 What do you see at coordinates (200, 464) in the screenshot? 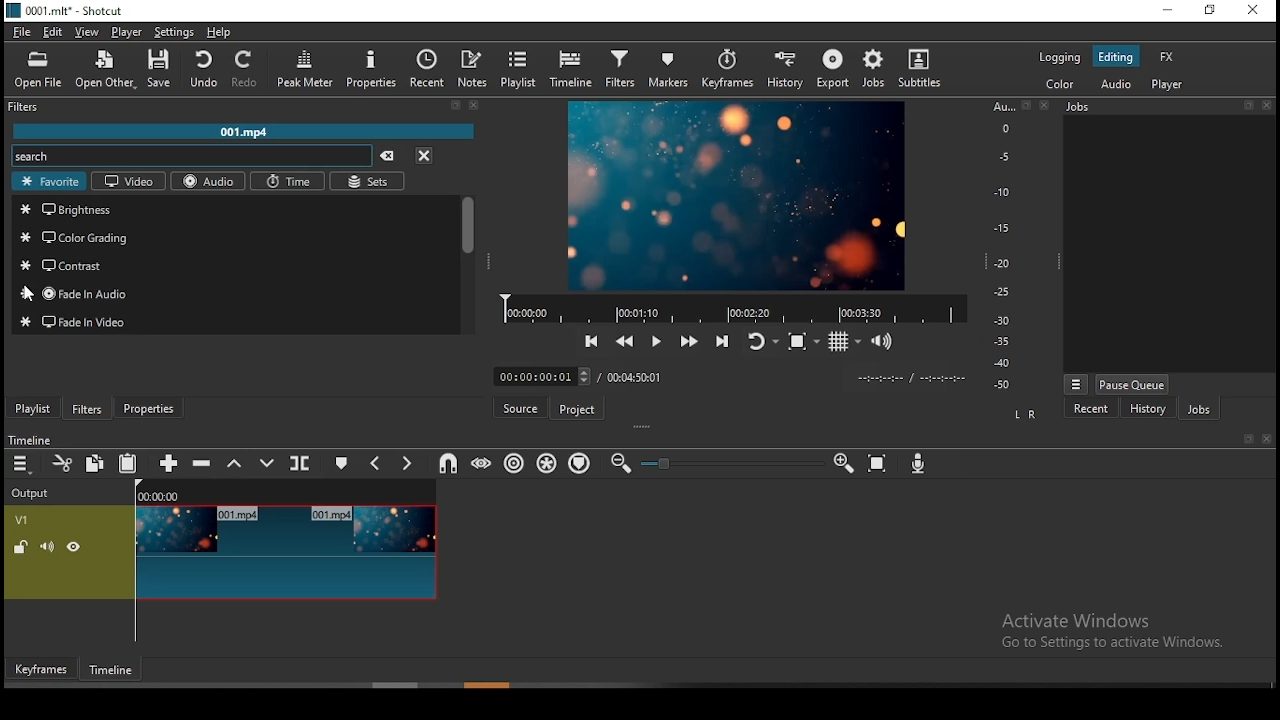
I see `ripple delete` at bounding box center [200, 464].